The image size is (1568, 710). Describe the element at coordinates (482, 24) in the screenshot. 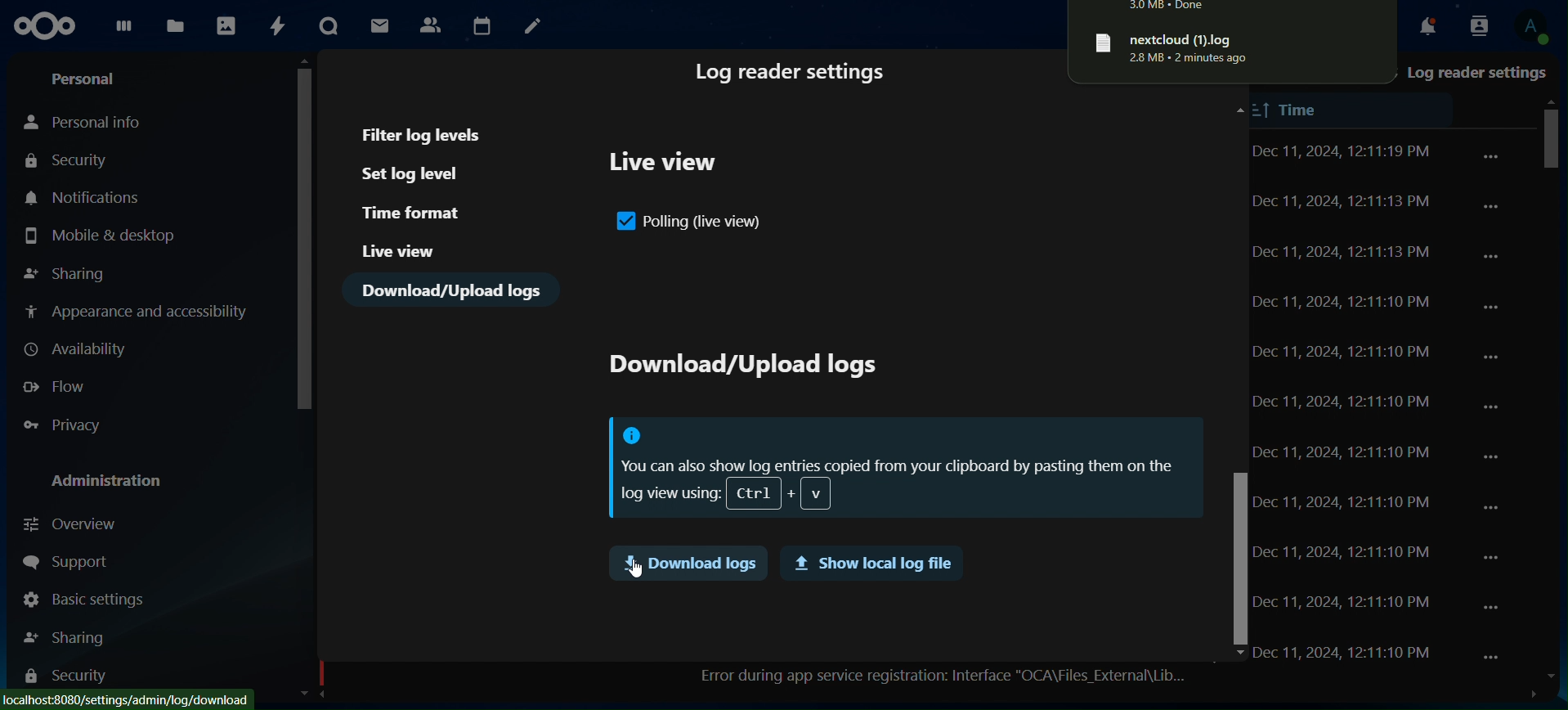

I see `calendar` at that location.